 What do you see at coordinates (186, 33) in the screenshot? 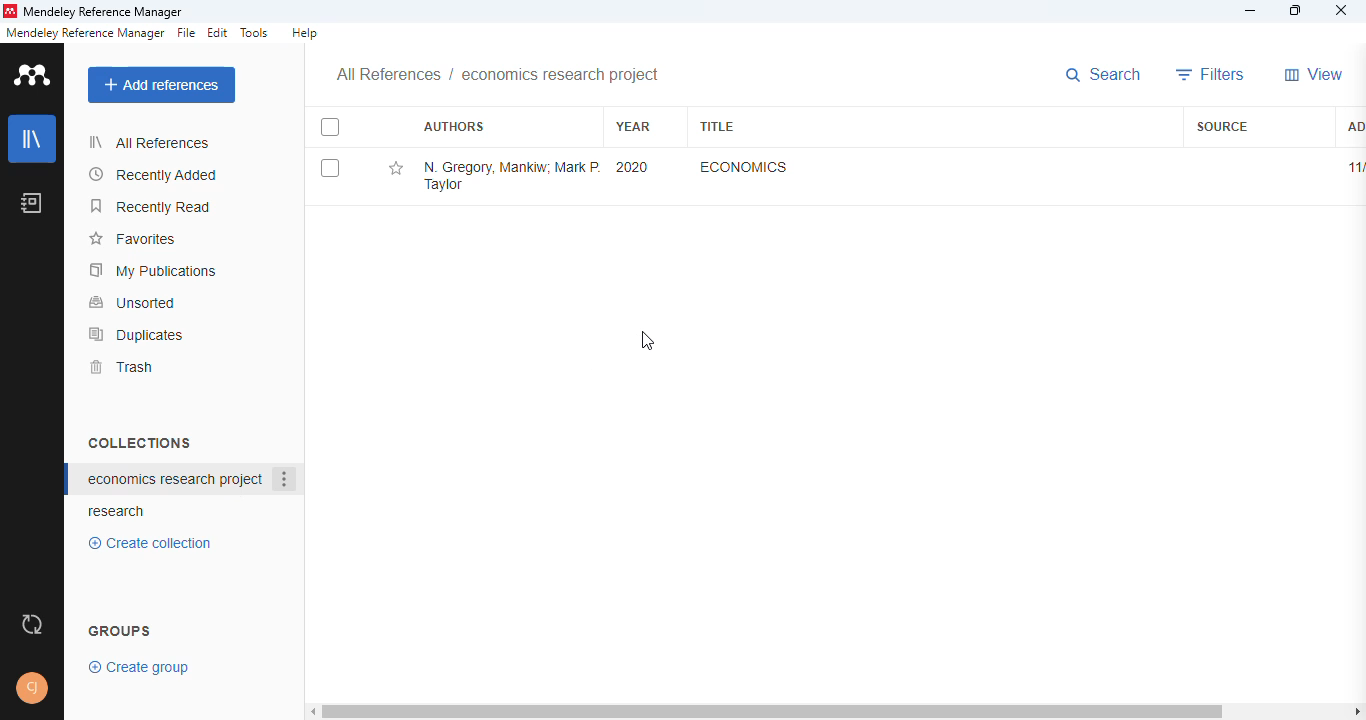
I see `file` at bounding box center [186, 33].